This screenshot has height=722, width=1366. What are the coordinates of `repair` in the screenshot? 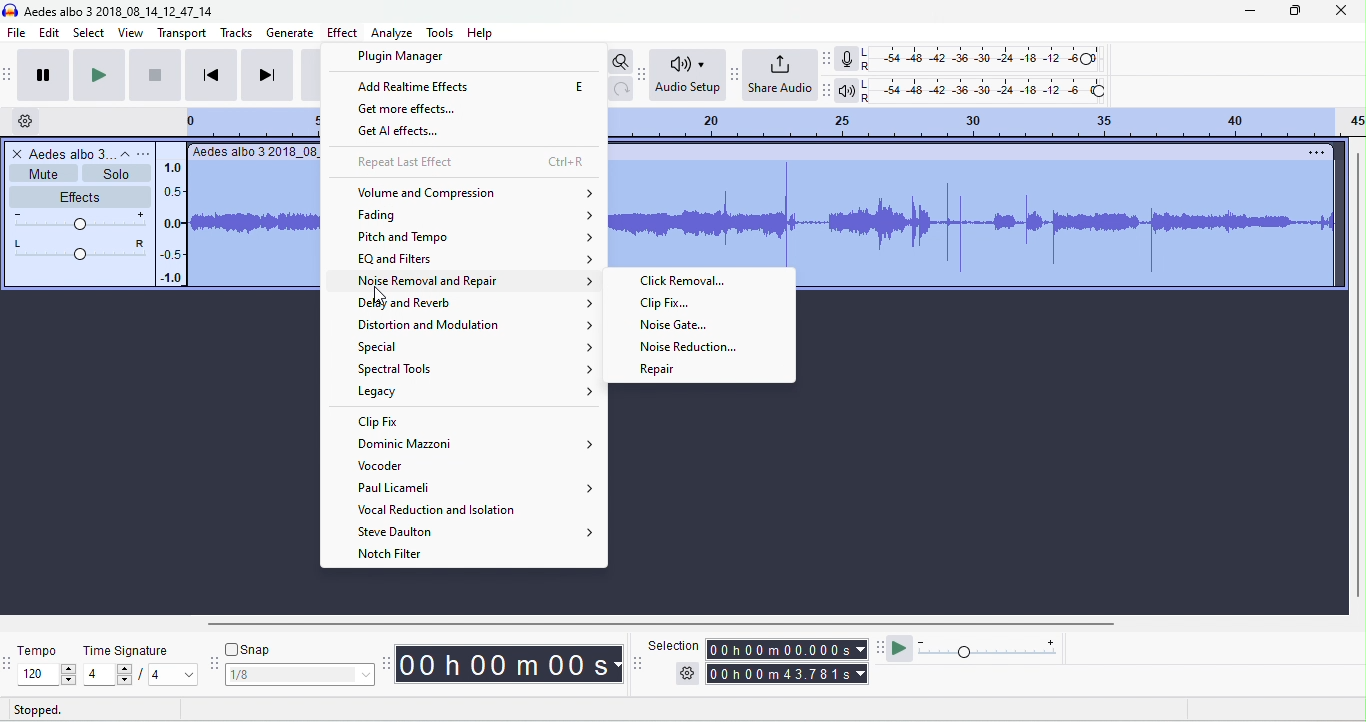 It's located at (657, 370).